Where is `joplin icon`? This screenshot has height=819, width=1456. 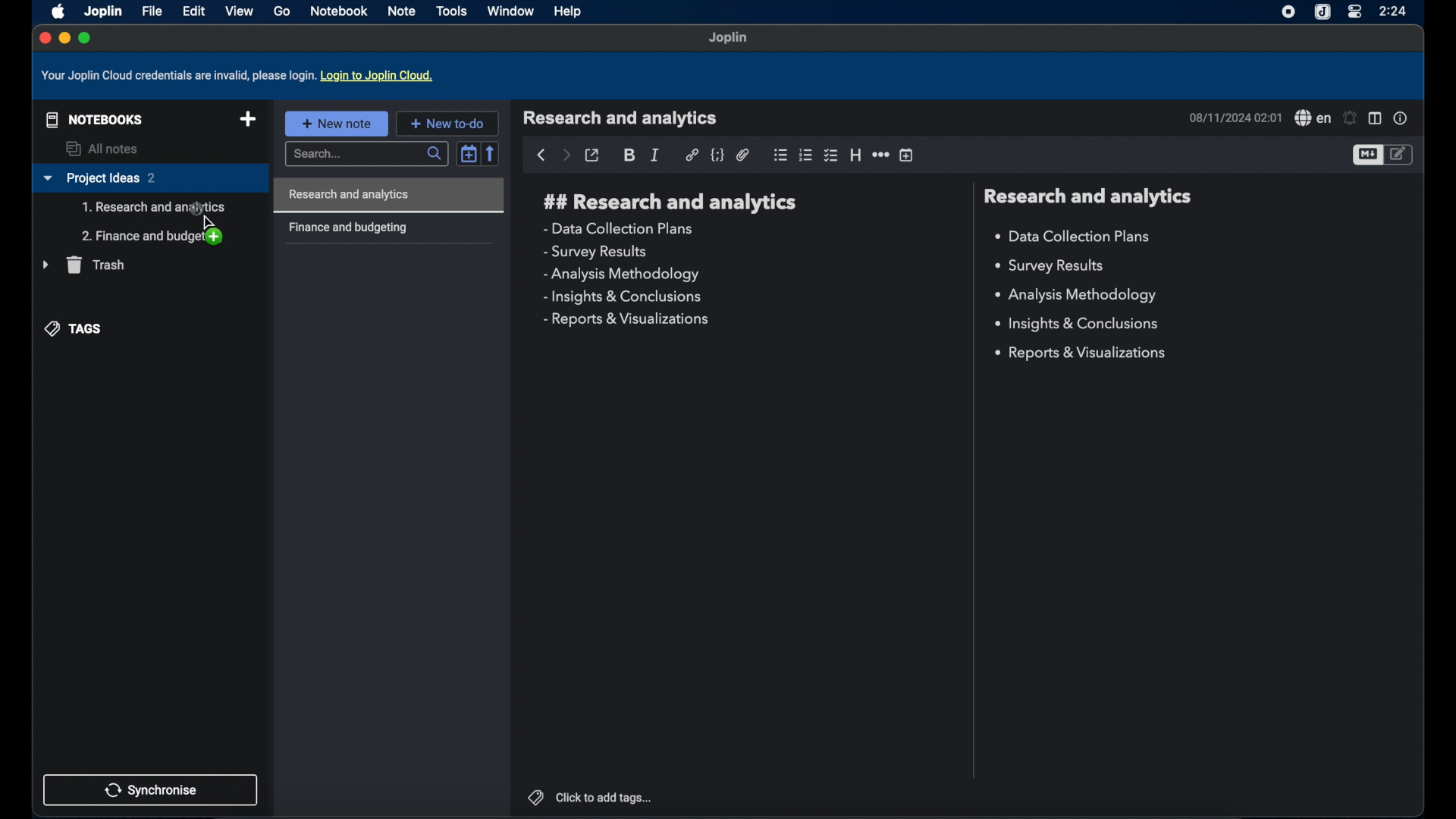
joplin icon is located at coordinates (1323, 12).